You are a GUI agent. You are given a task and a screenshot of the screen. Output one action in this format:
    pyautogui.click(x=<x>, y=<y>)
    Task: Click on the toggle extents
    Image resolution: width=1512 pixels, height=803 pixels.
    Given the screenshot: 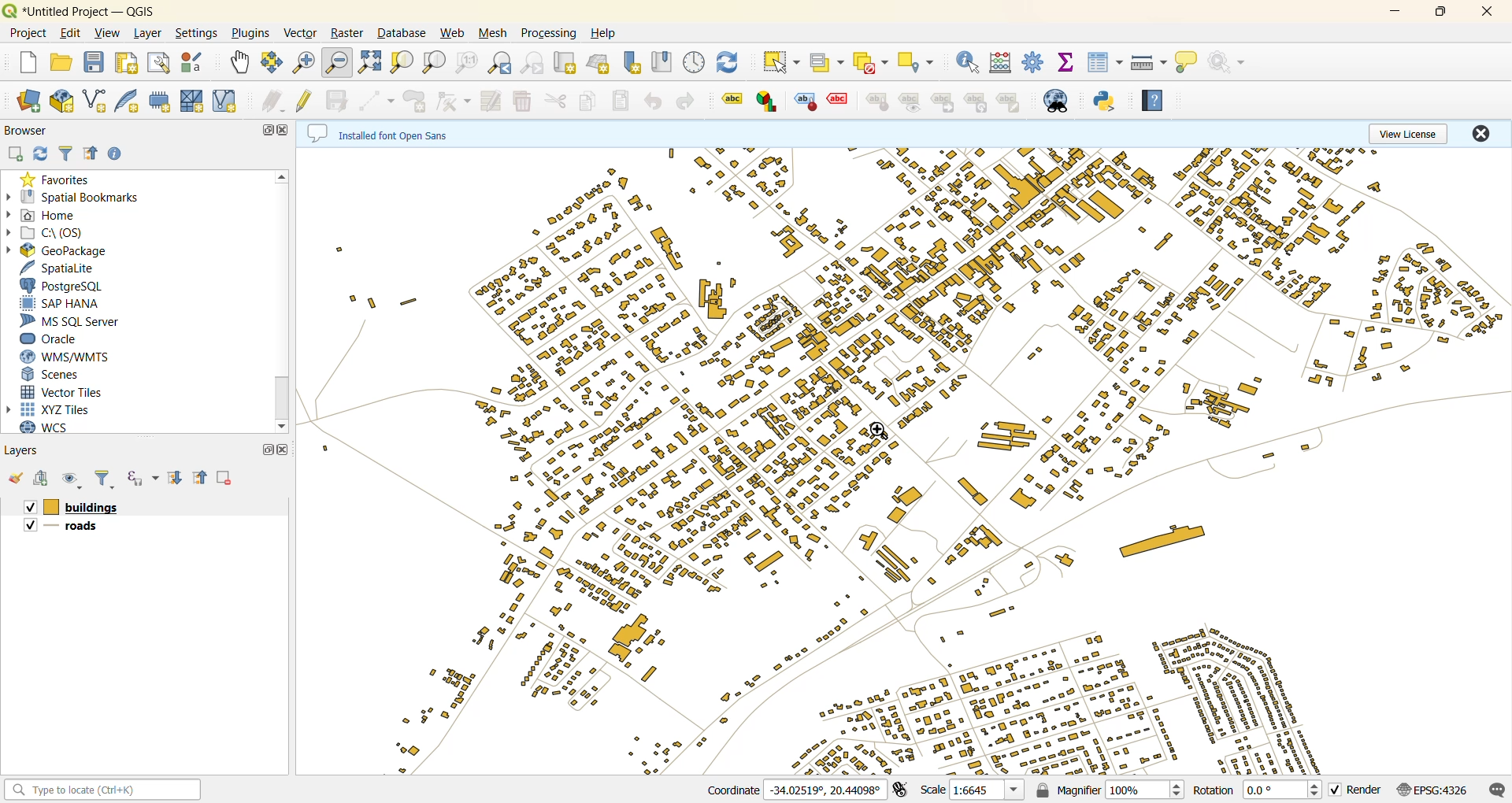 What is the action you would take?
    pyautogui.click(x=902, y=790)
    